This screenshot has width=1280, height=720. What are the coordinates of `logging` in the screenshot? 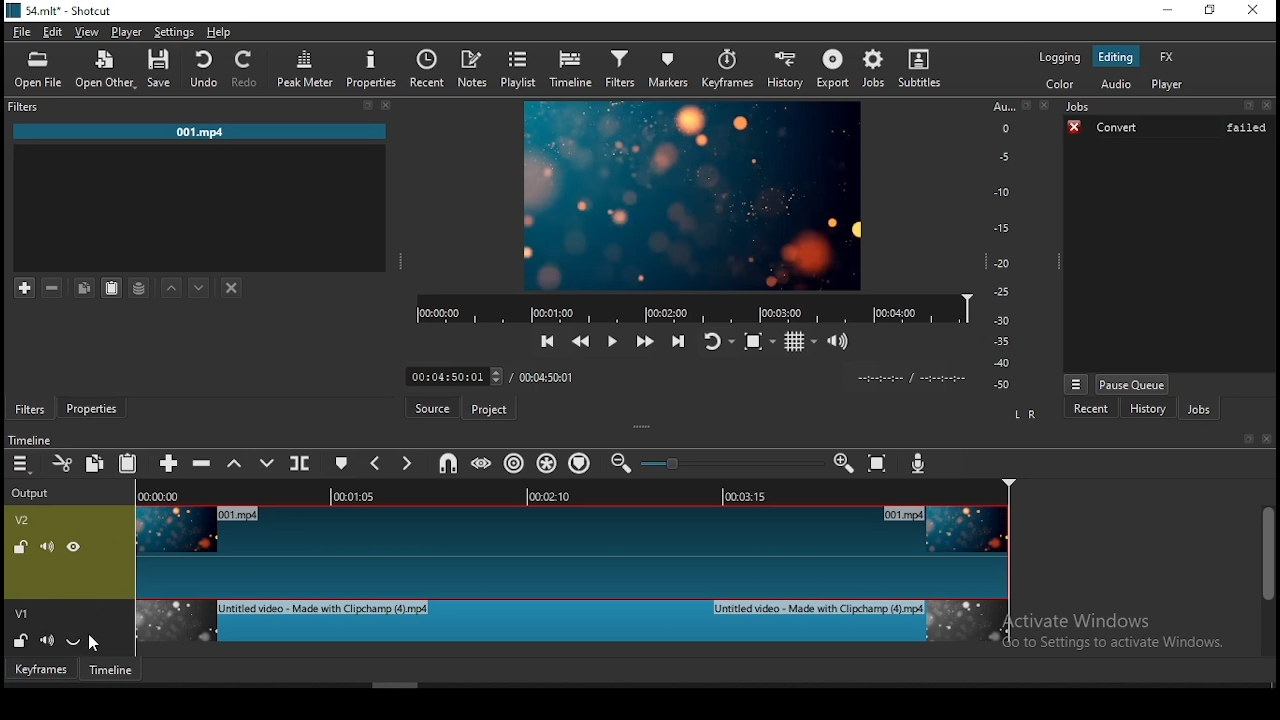 It's located at (1061, 58).